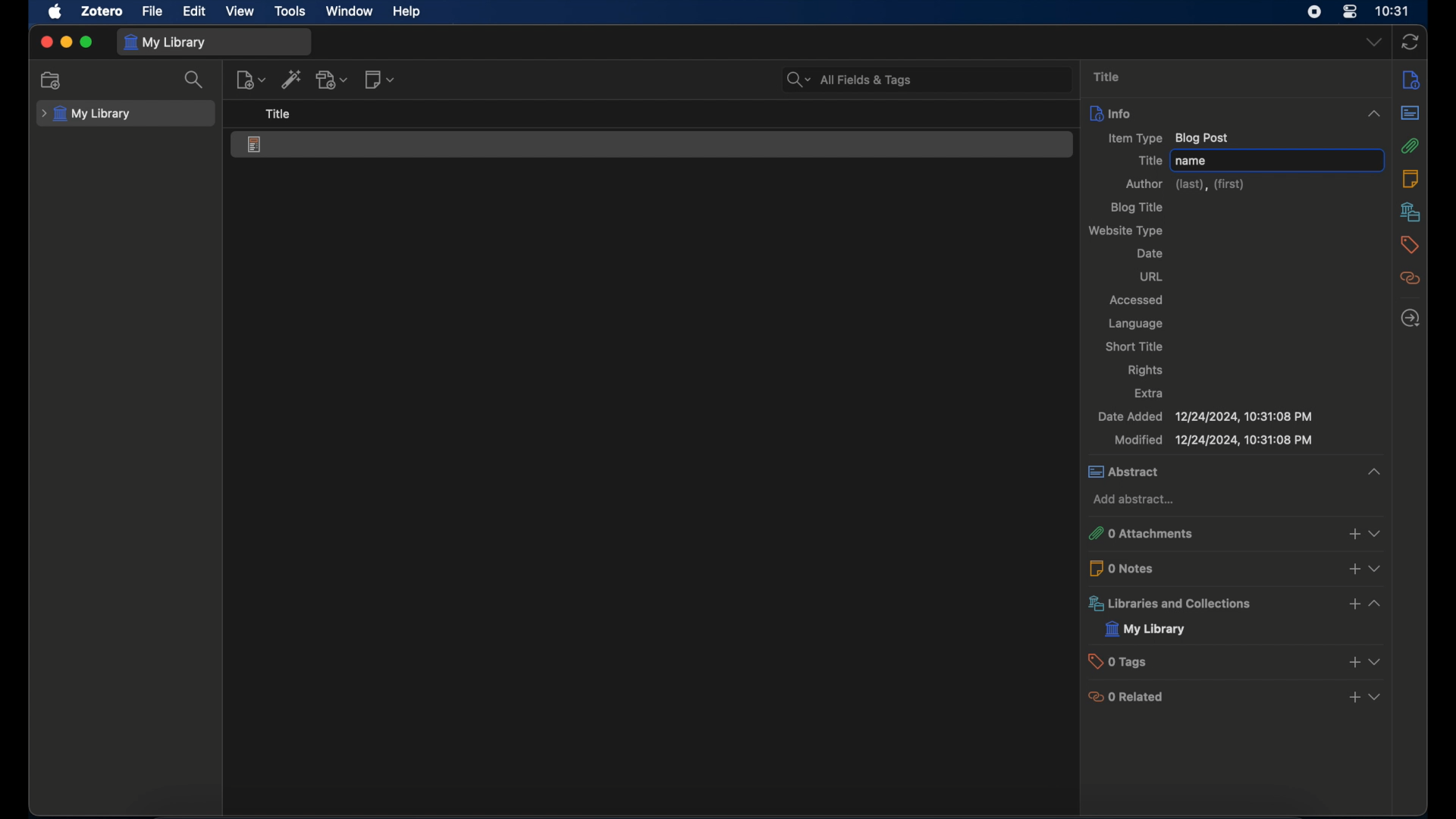 The height and width of the screenshot is (819, 1456). What do you see at coordinates (1150, 393) in the screenshot?
I see `extra` at bounding box center [1150, 393].